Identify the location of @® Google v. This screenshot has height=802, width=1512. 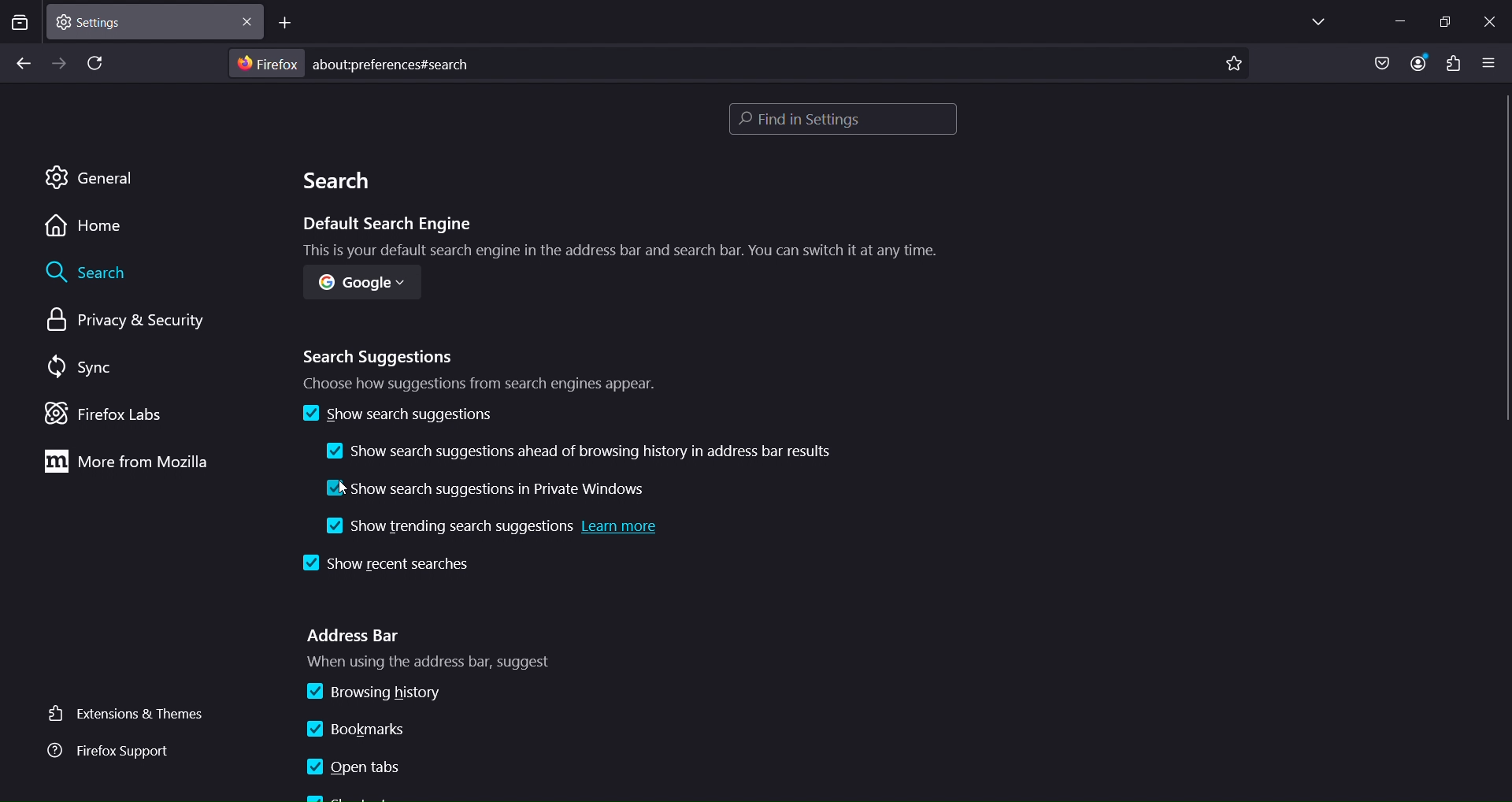
(356, 287).